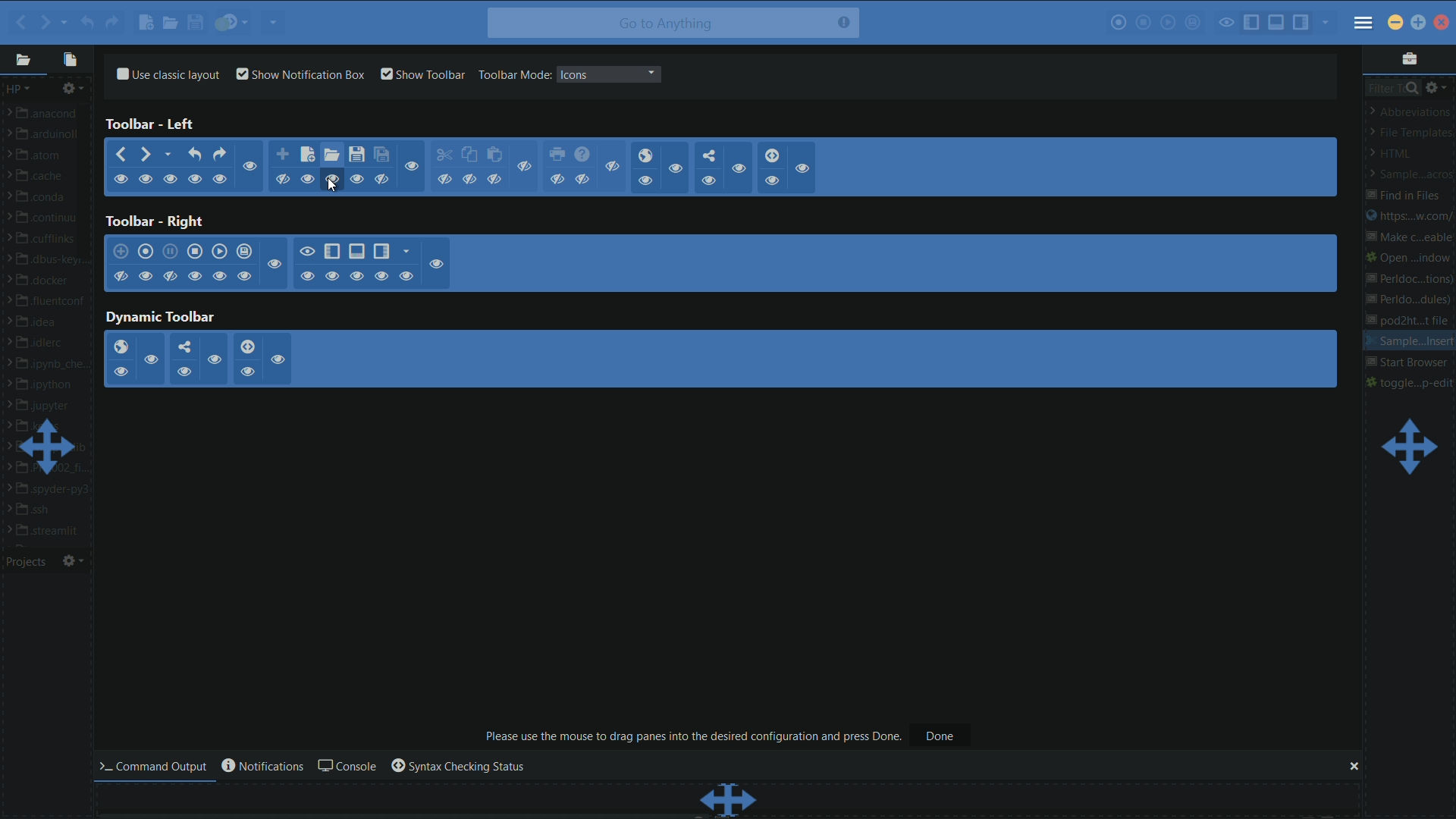 The height and width of the screenshot is (819, 1456). I want to click on  Perldoc.. tions, so click(1409, 277).